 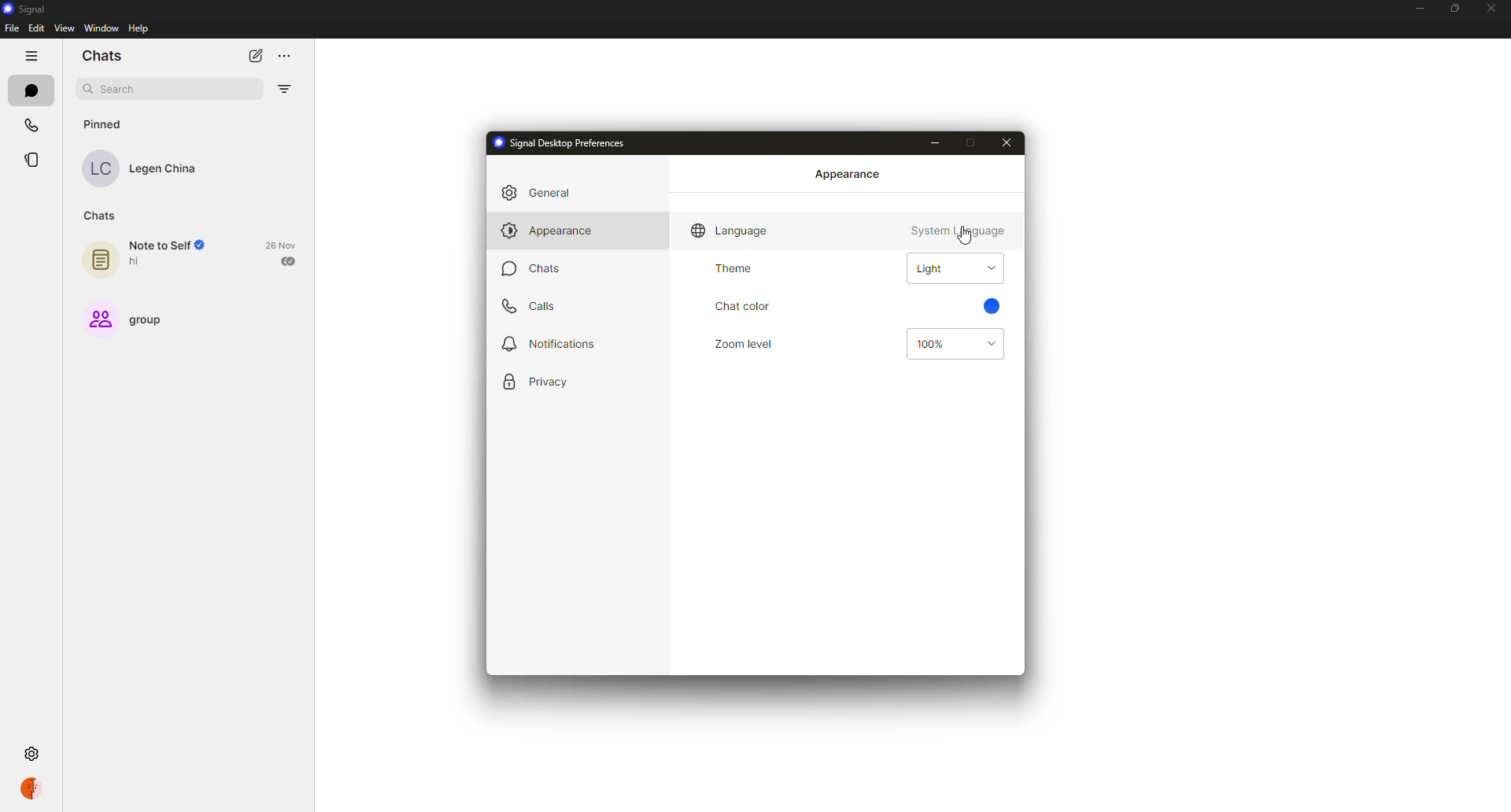 What do you see at coordinates (536, 305) in the screenshot?
I see `calls` at bounding box center [536, 305].